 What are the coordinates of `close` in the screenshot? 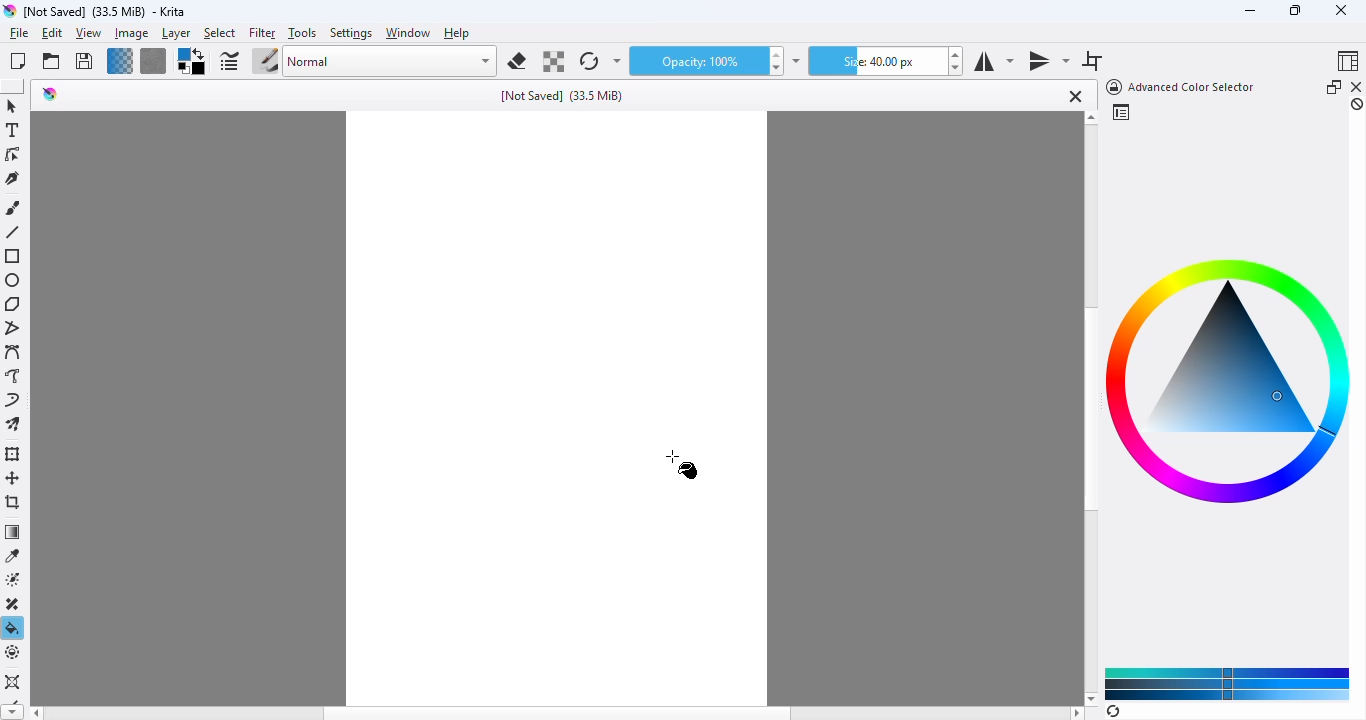 It's located at (1073, 96).